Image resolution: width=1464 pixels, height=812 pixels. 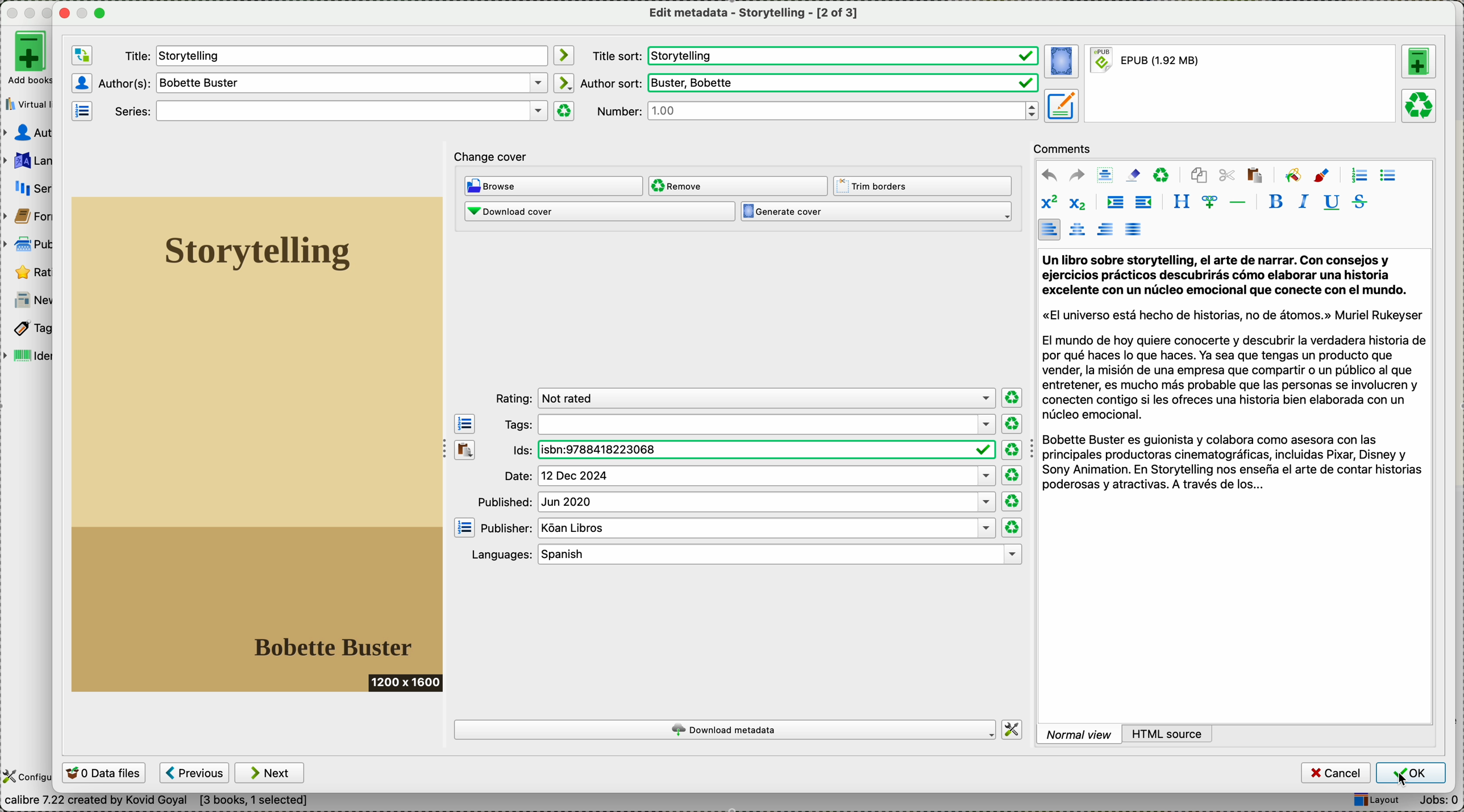 What do you see at coordinates (27, 777) in the screenshot?
I see `configure` at bounding box center [27, 777].